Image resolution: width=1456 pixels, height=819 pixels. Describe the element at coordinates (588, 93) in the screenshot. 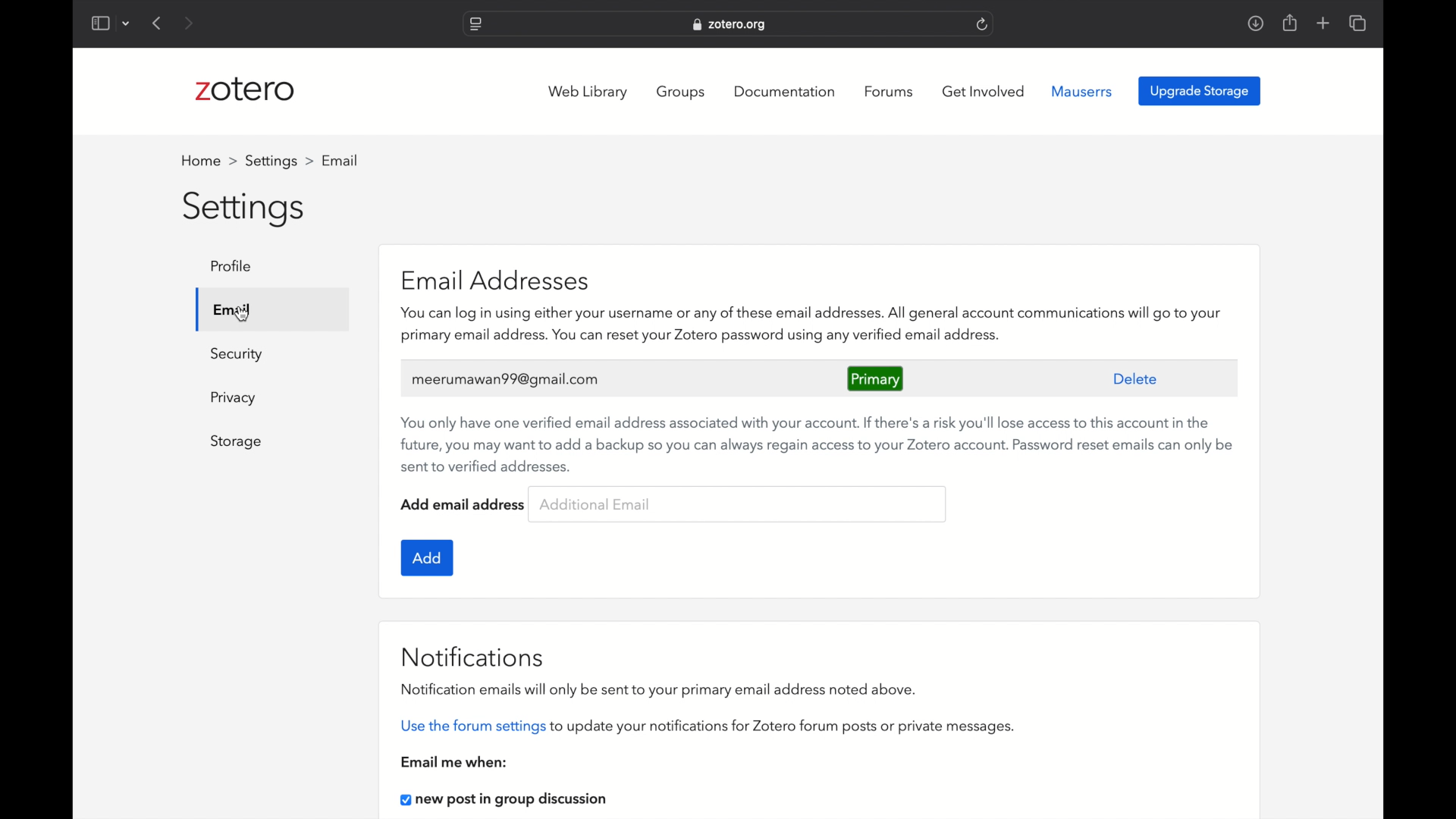

I see `web library` at that location.